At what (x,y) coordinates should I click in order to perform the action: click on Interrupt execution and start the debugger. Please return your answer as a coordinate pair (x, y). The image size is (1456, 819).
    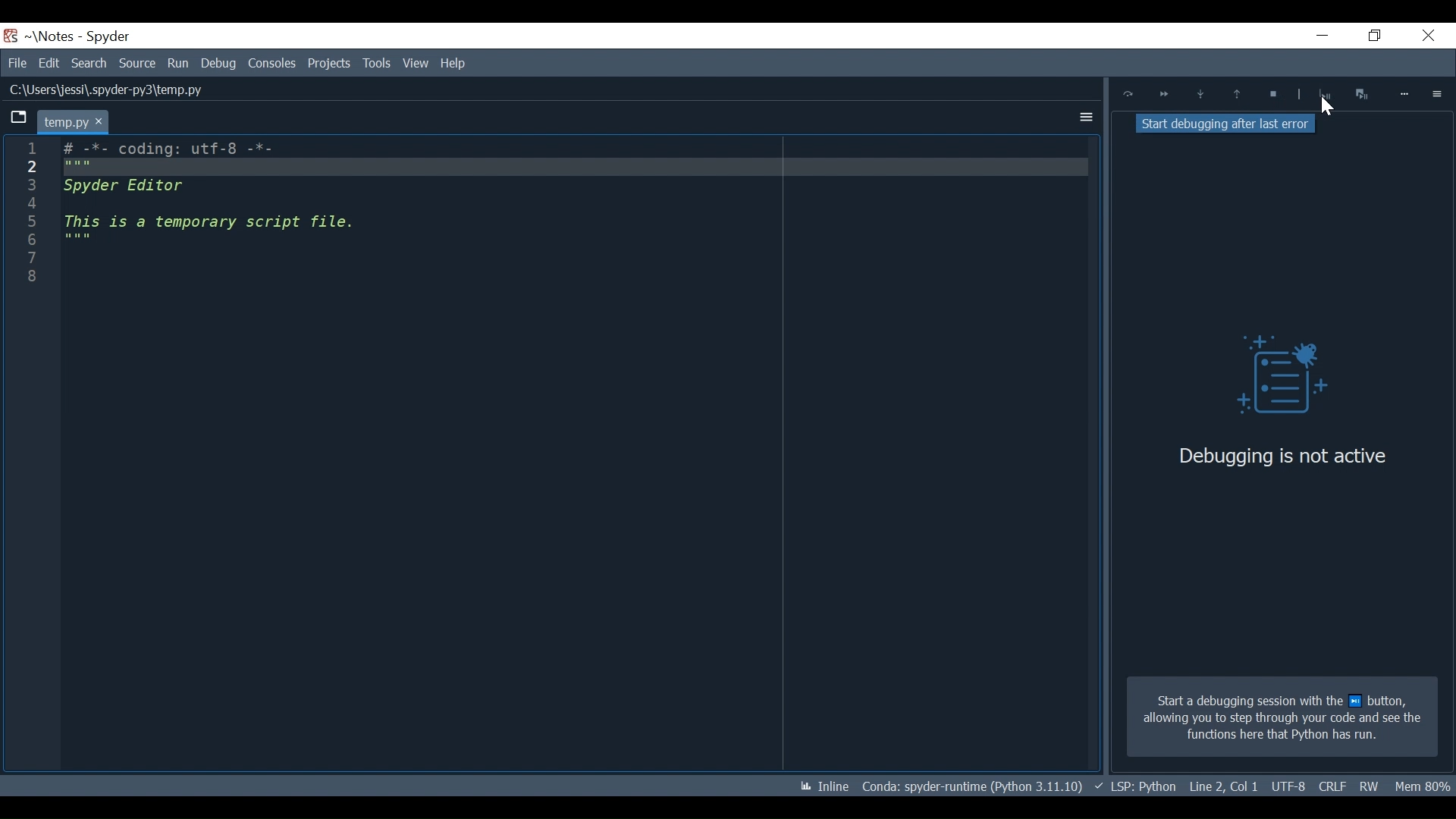
    Looking at the image, I should click on (1363, 93).